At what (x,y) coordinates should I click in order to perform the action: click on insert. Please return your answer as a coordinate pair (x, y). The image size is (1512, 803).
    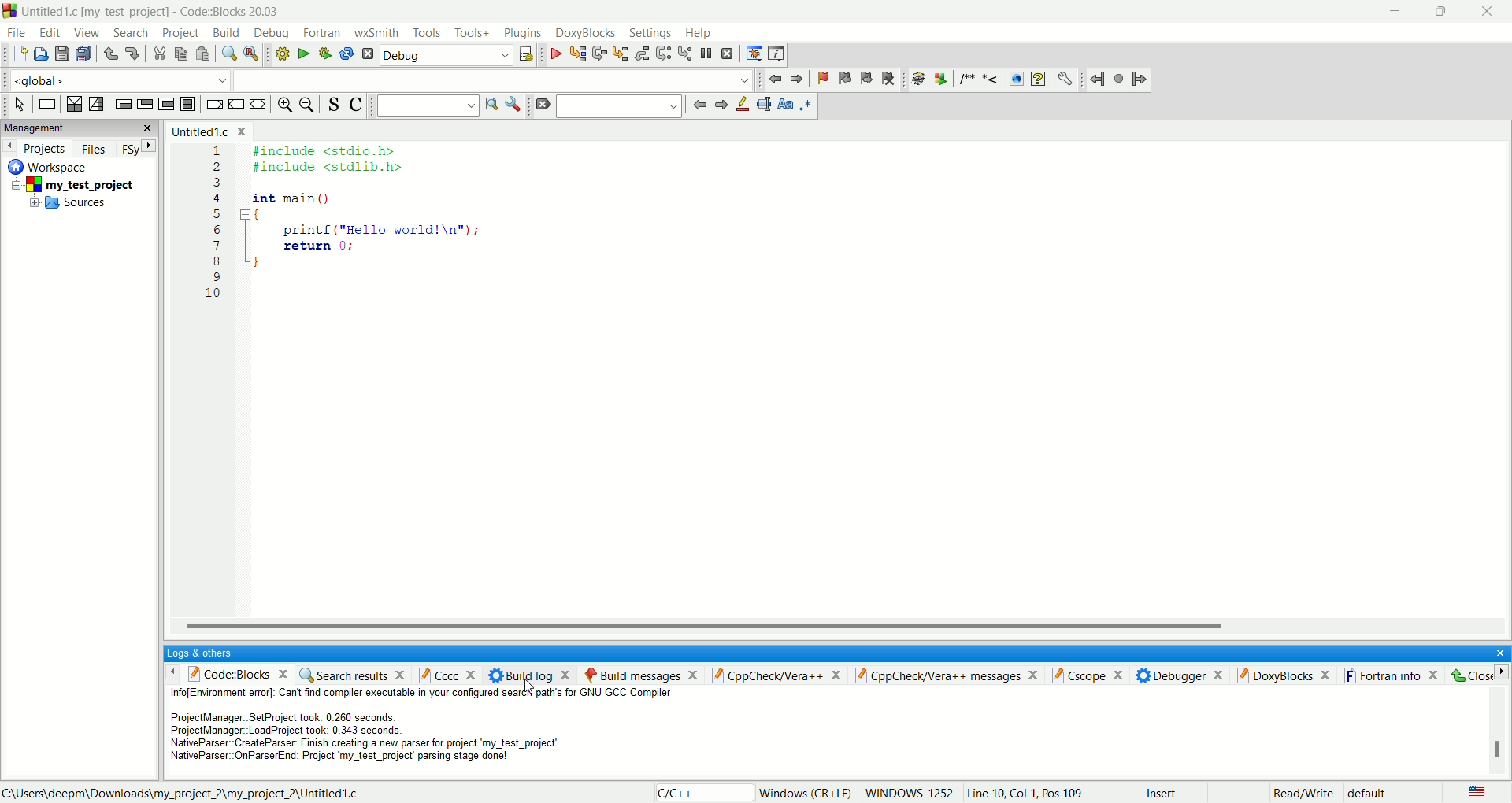
    Looking at the image, I should click on (1161, 791).